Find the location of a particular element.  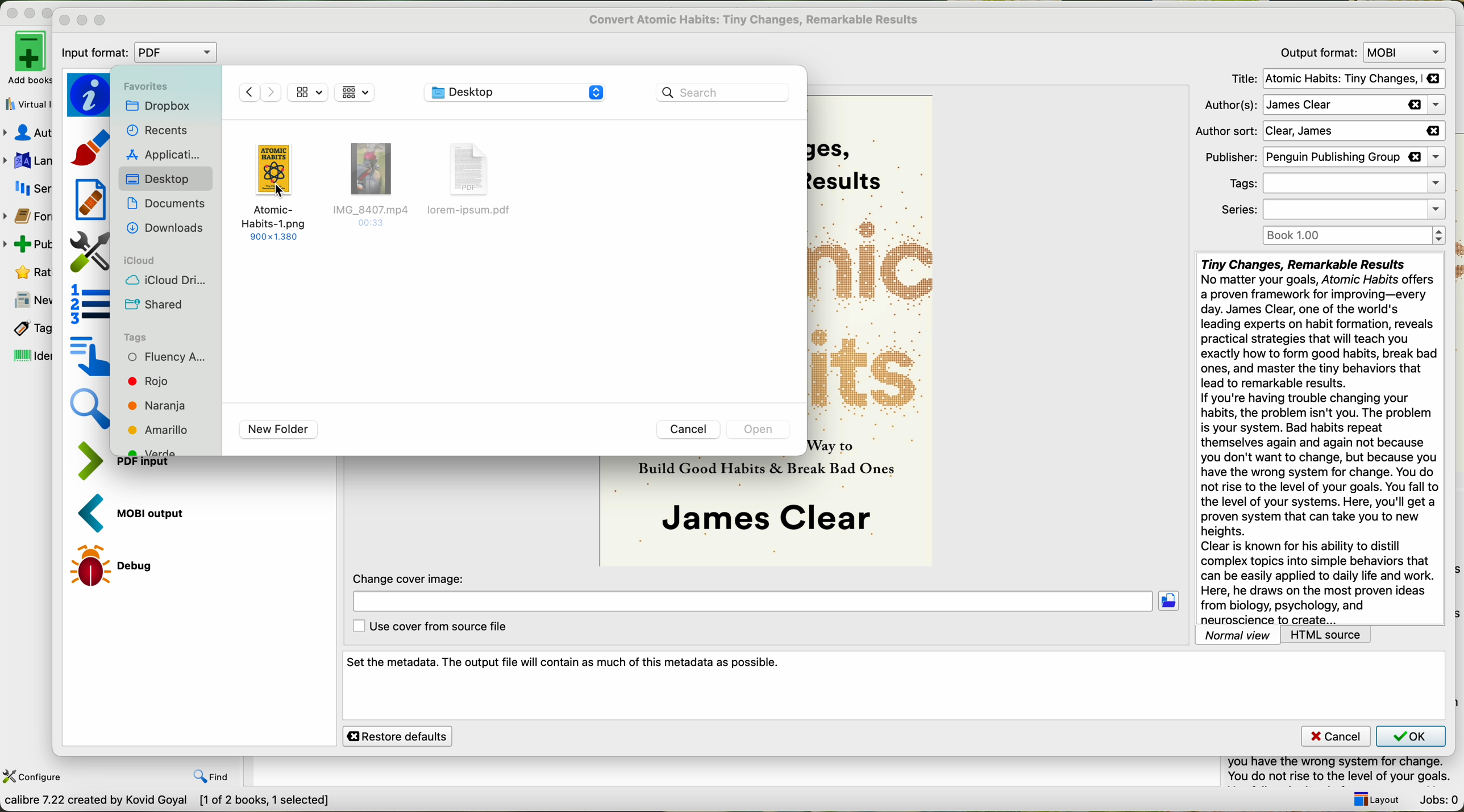

downloads is located at coordinates (165, 229).